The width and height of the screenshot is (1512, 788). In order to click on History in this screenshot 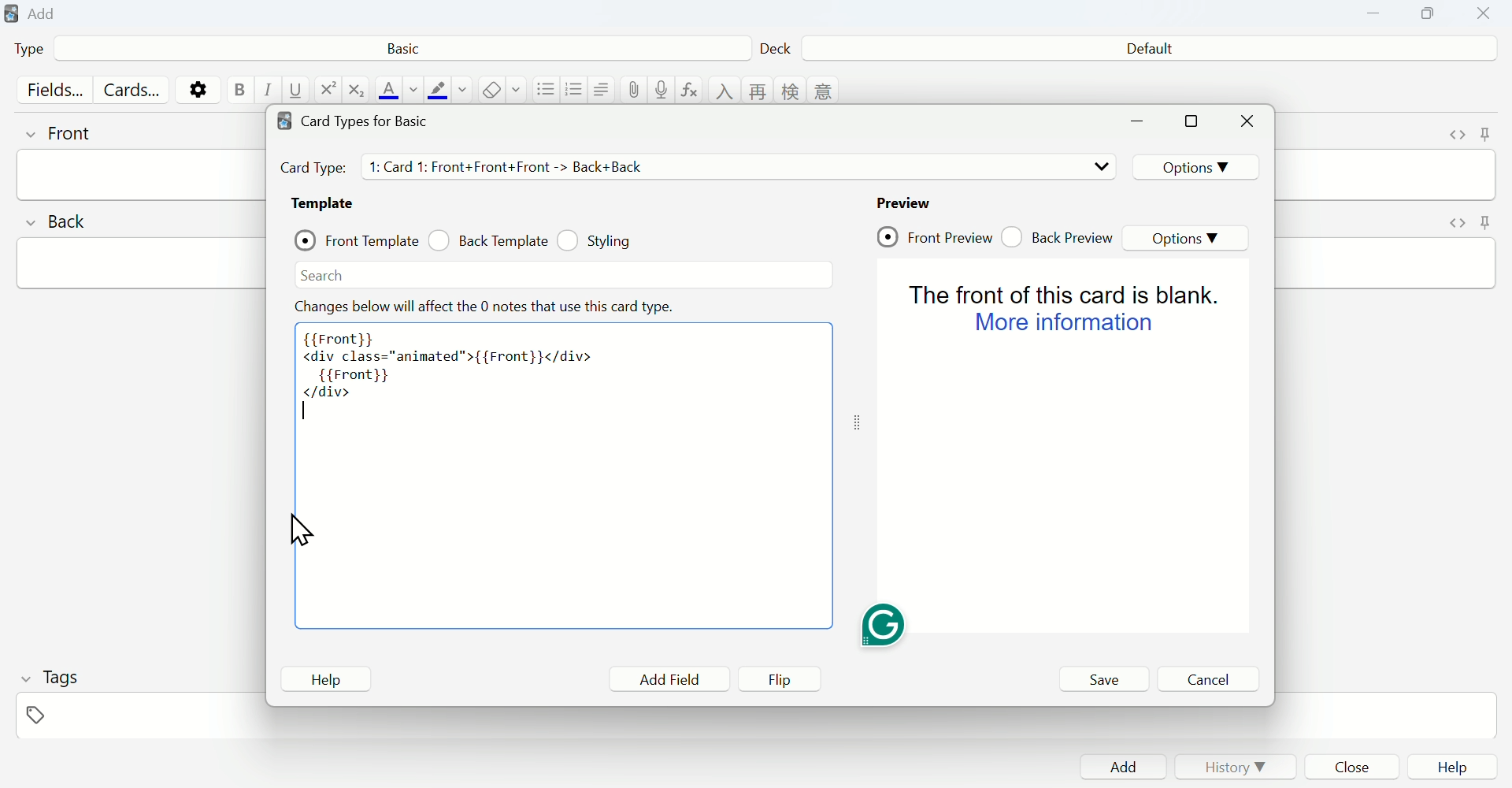, I will do `click(1234, 767)`.